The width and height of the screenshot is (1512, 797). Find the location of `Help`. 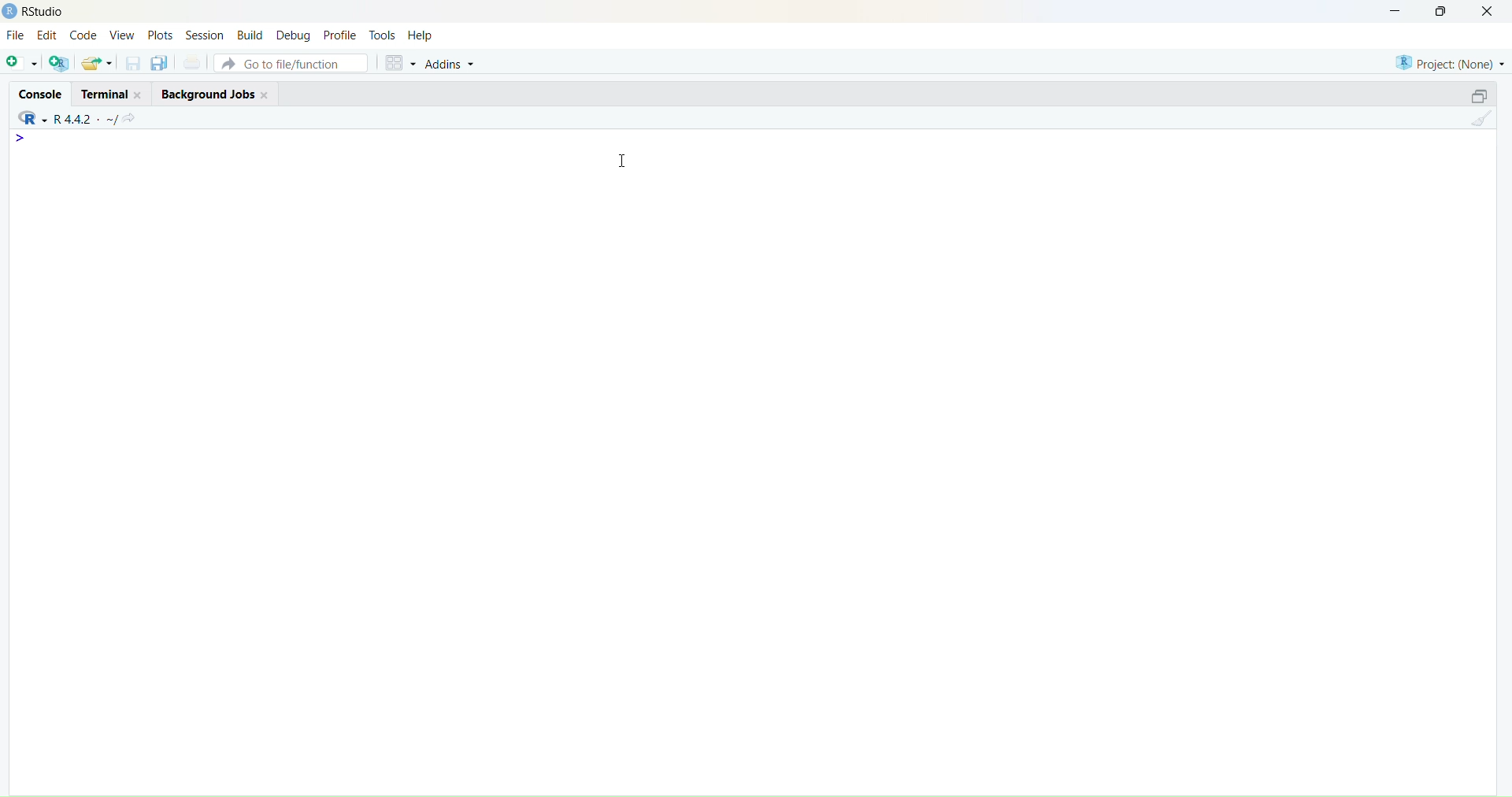

Help is located at coordinates (424, 34).